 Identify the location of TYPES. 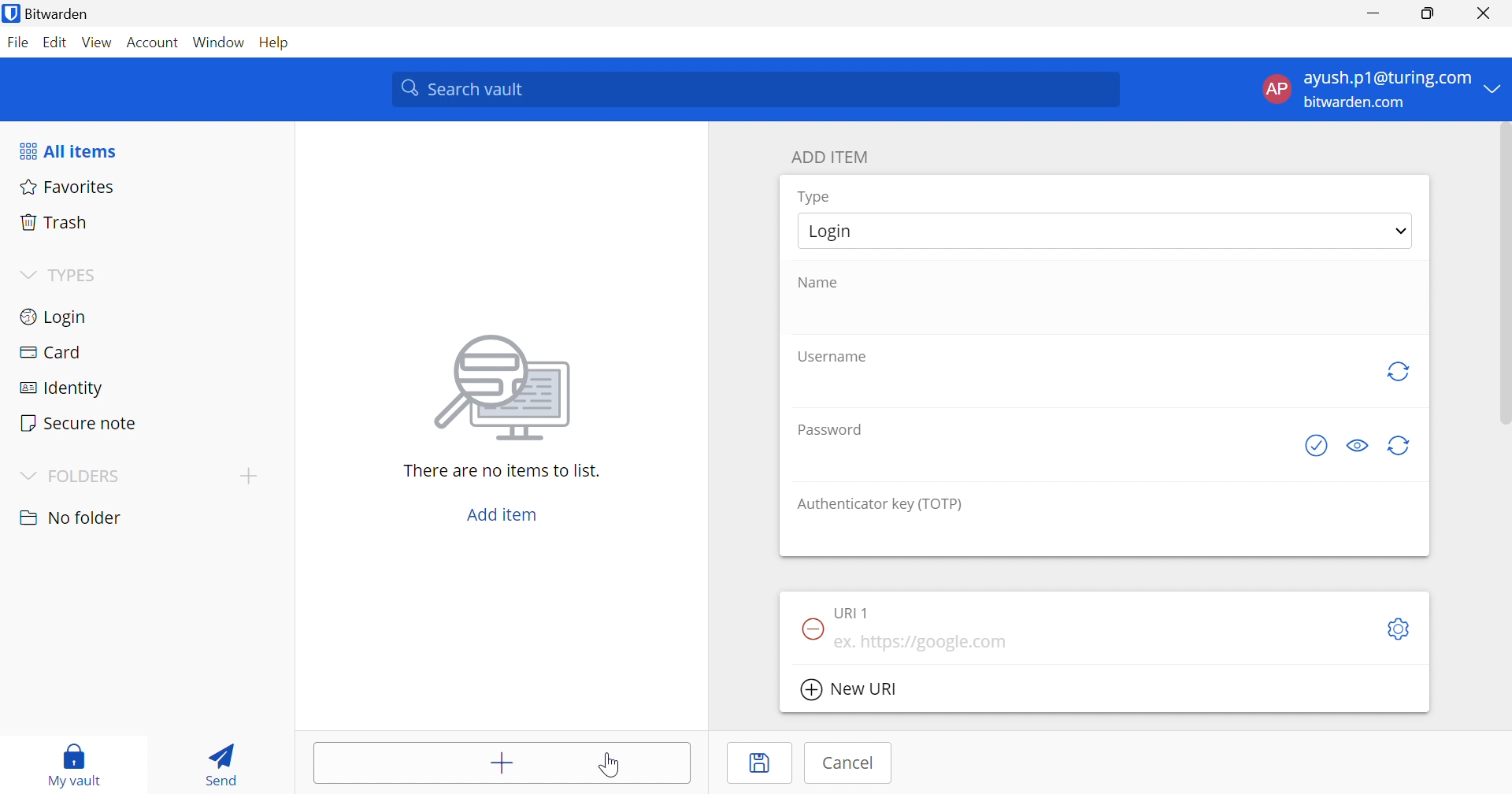
(77, 274).